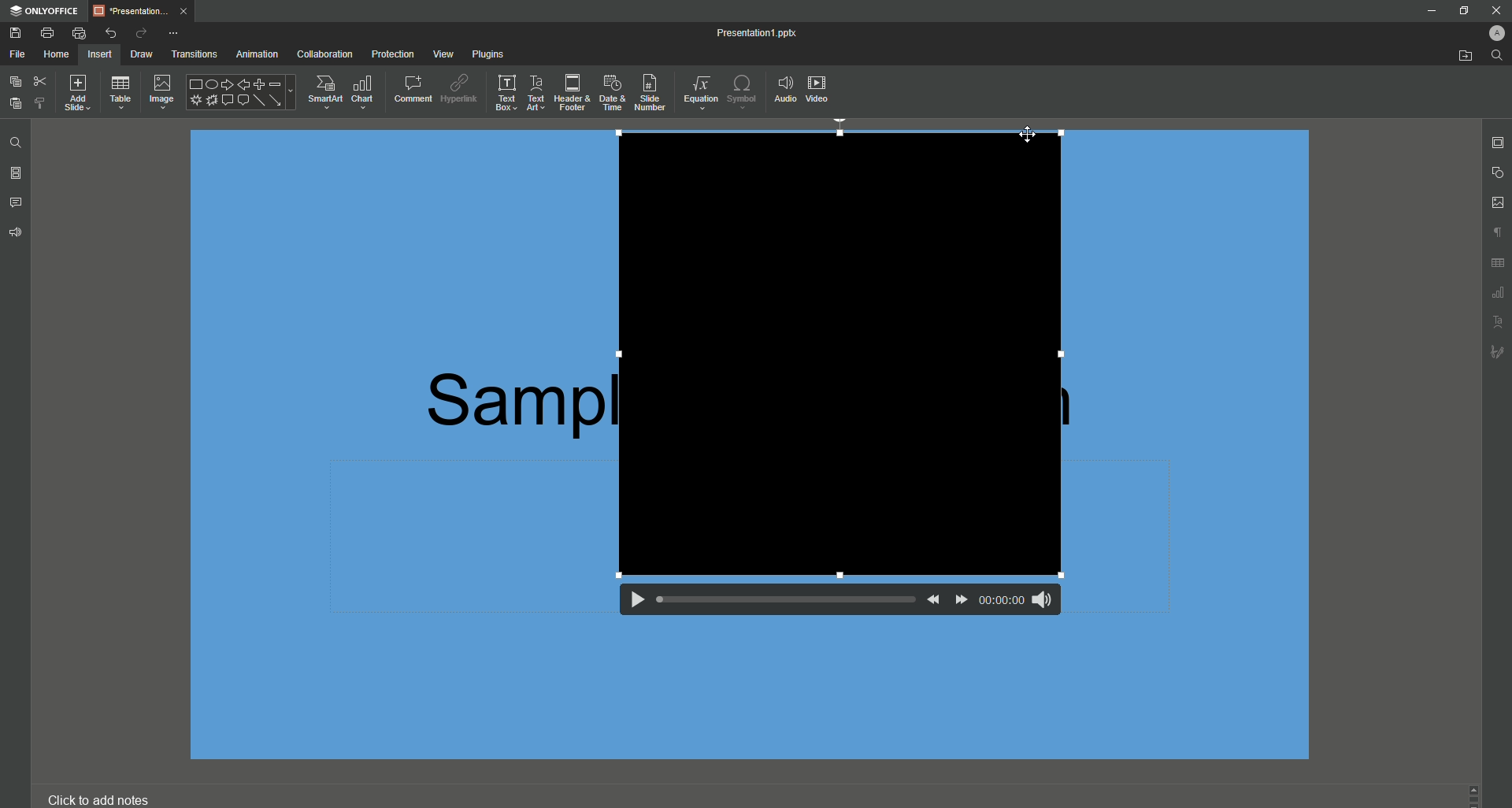 The height and width of the screenshot is (808, 1512). Describe the element at coordinates (458, 88) in the screenshot. I see `Hyperlink` at that location.